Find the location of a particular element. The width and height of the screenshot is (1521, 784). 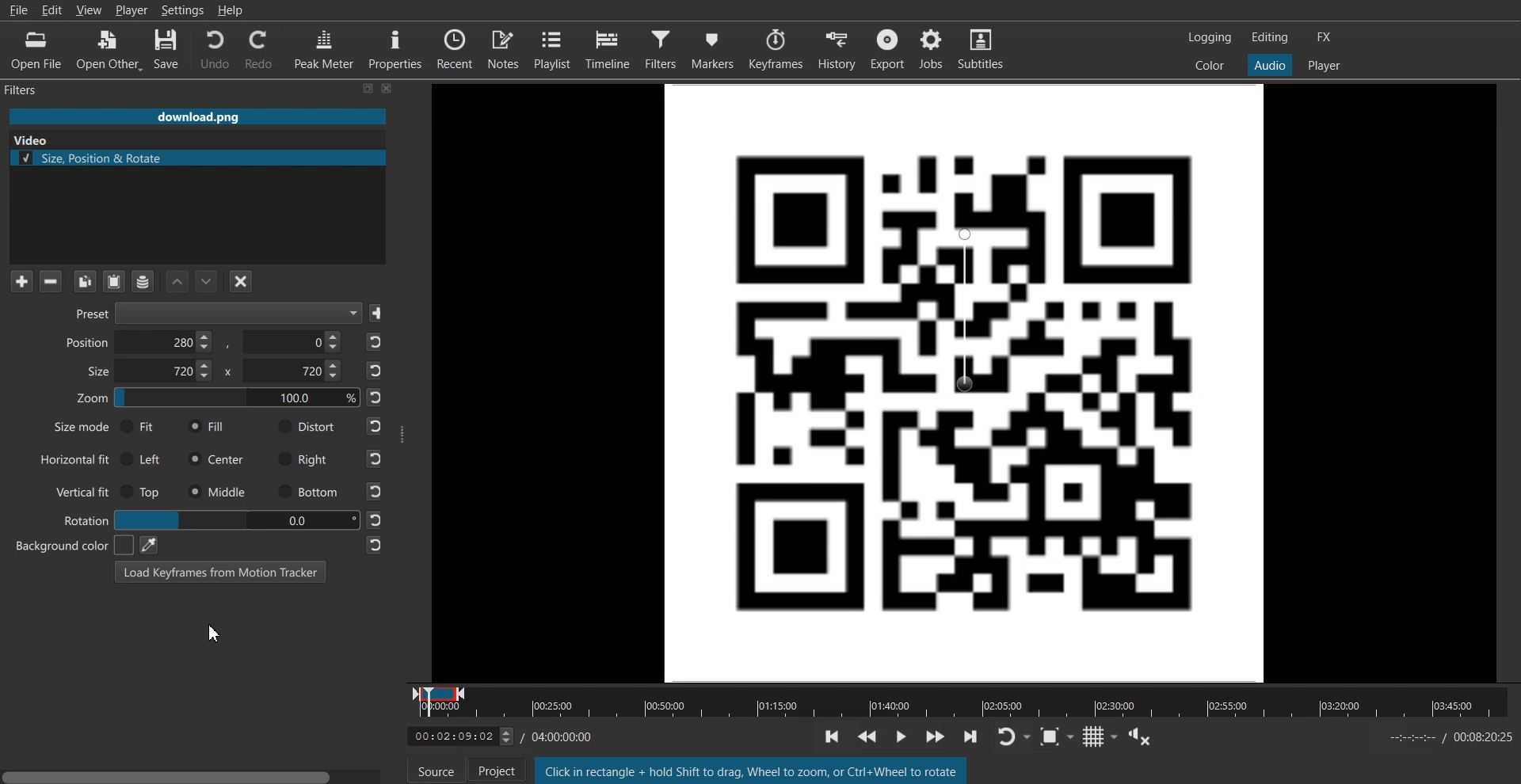

Redo is located at coordinates (259, 51).